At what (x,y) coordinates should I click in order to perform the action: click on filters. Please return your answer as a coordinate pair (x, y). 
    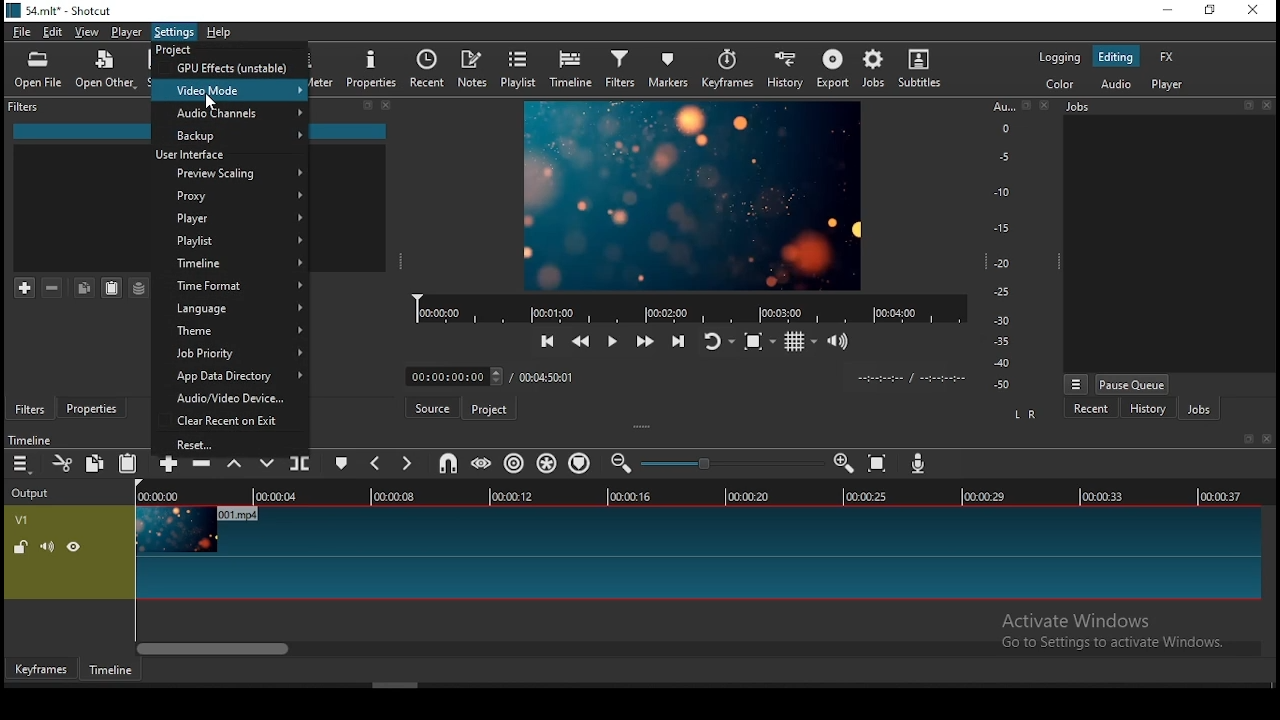
    Looking at the image, I should click on (620, 68).